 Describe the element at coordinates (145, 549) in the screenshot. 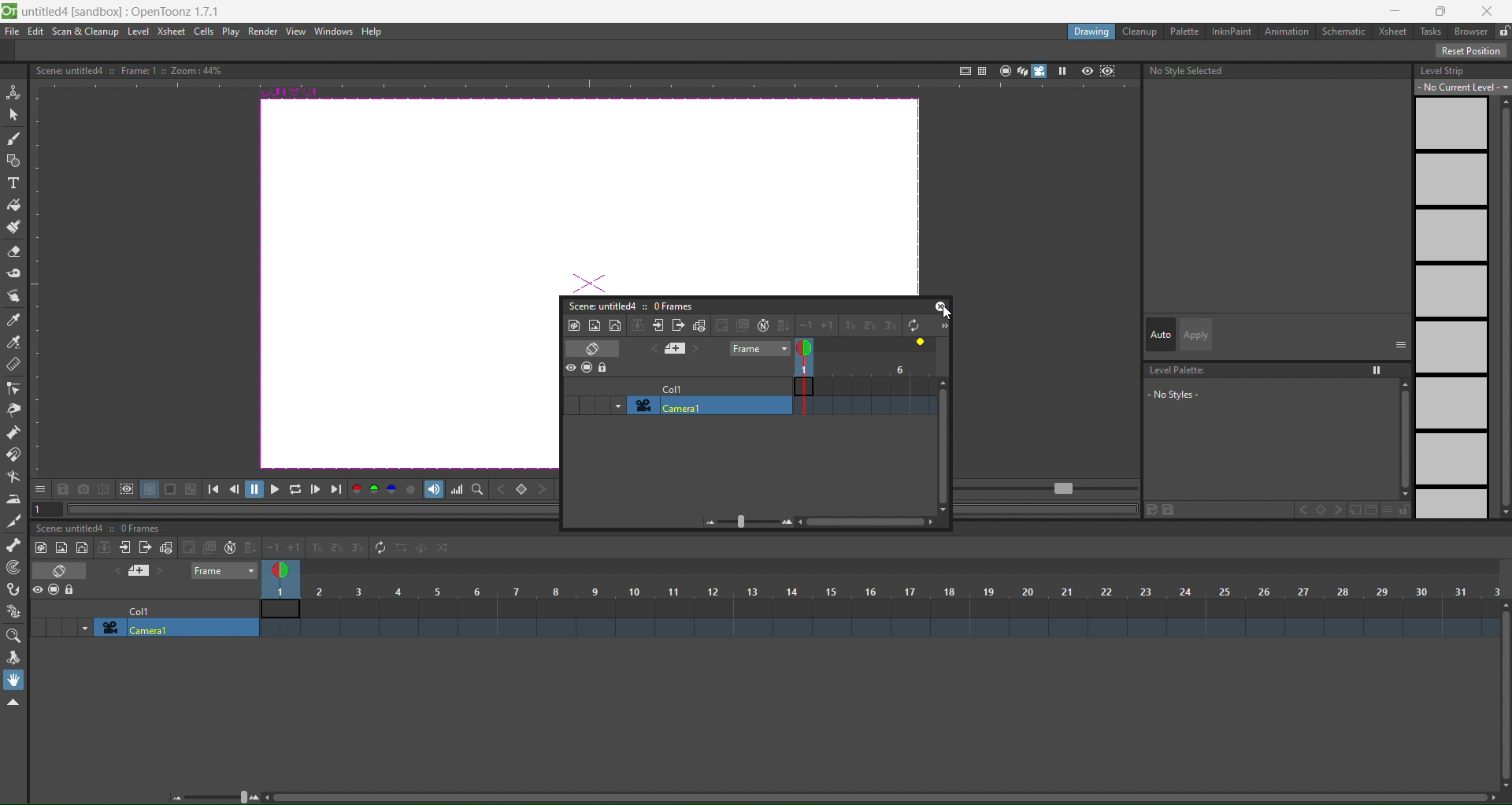

I see `close sub sheet` at that location.